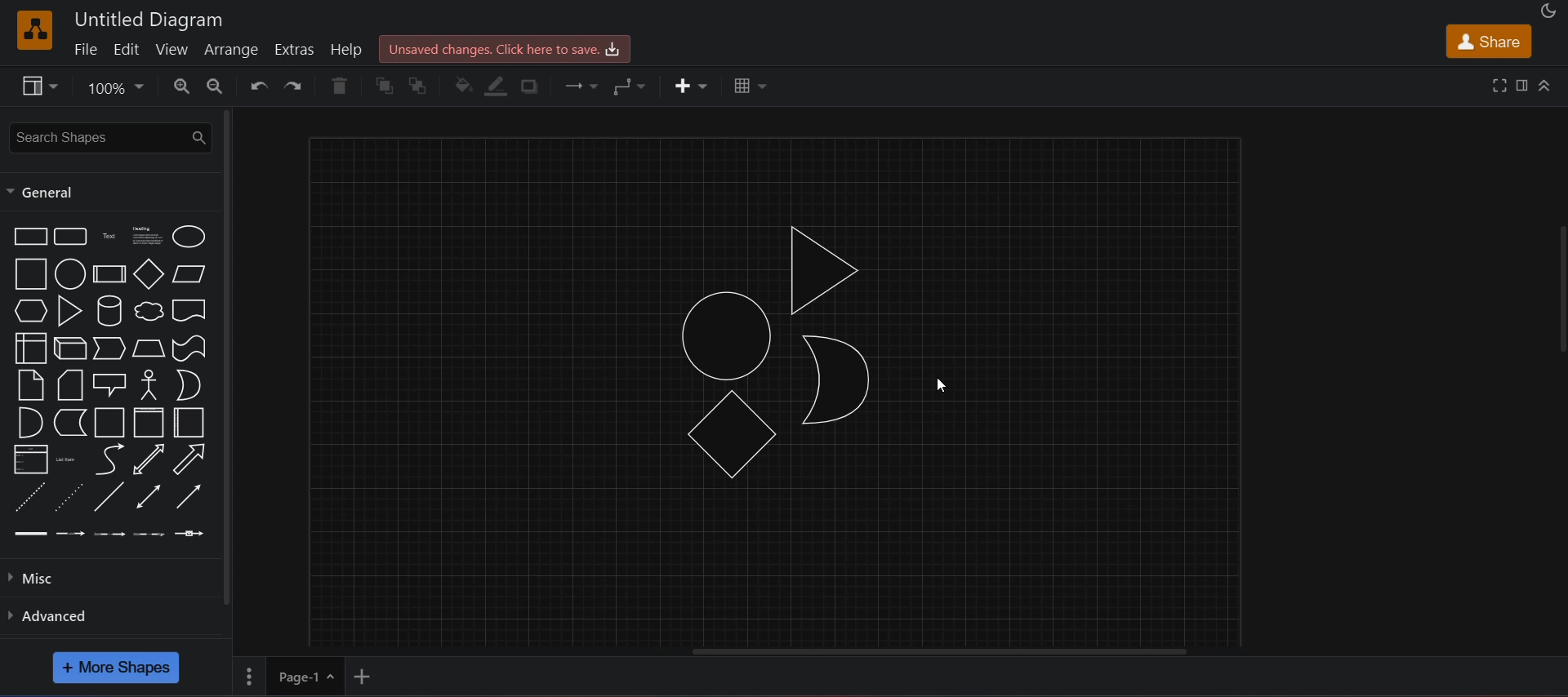 The height and width of the screenshot is (697, 1568). Describe the element at coordinates (69, 310) in the screenshot. I see `triangle` at that location.